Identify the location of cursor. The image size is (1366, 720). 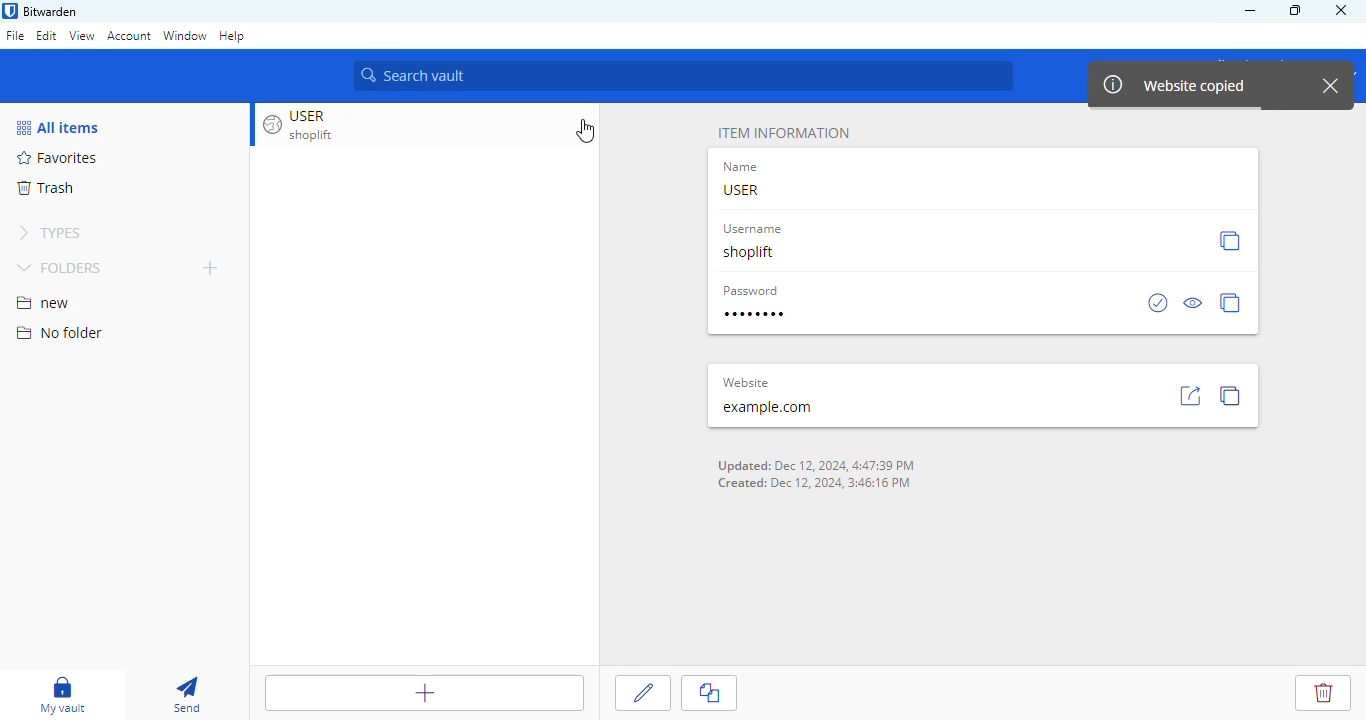
(587, 132).